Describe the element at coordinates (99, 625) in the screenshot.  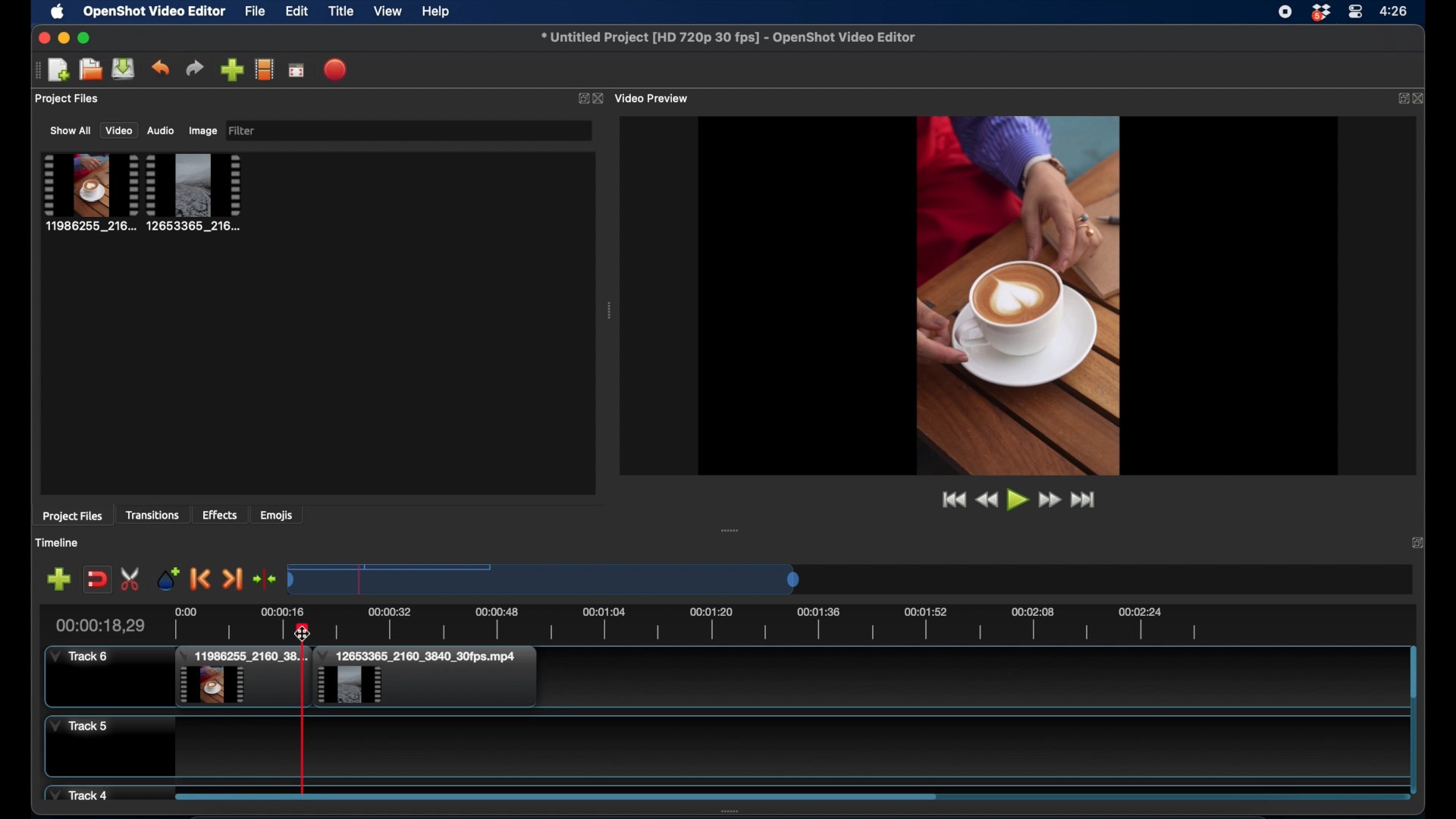
I see `current time indicator` at that location.